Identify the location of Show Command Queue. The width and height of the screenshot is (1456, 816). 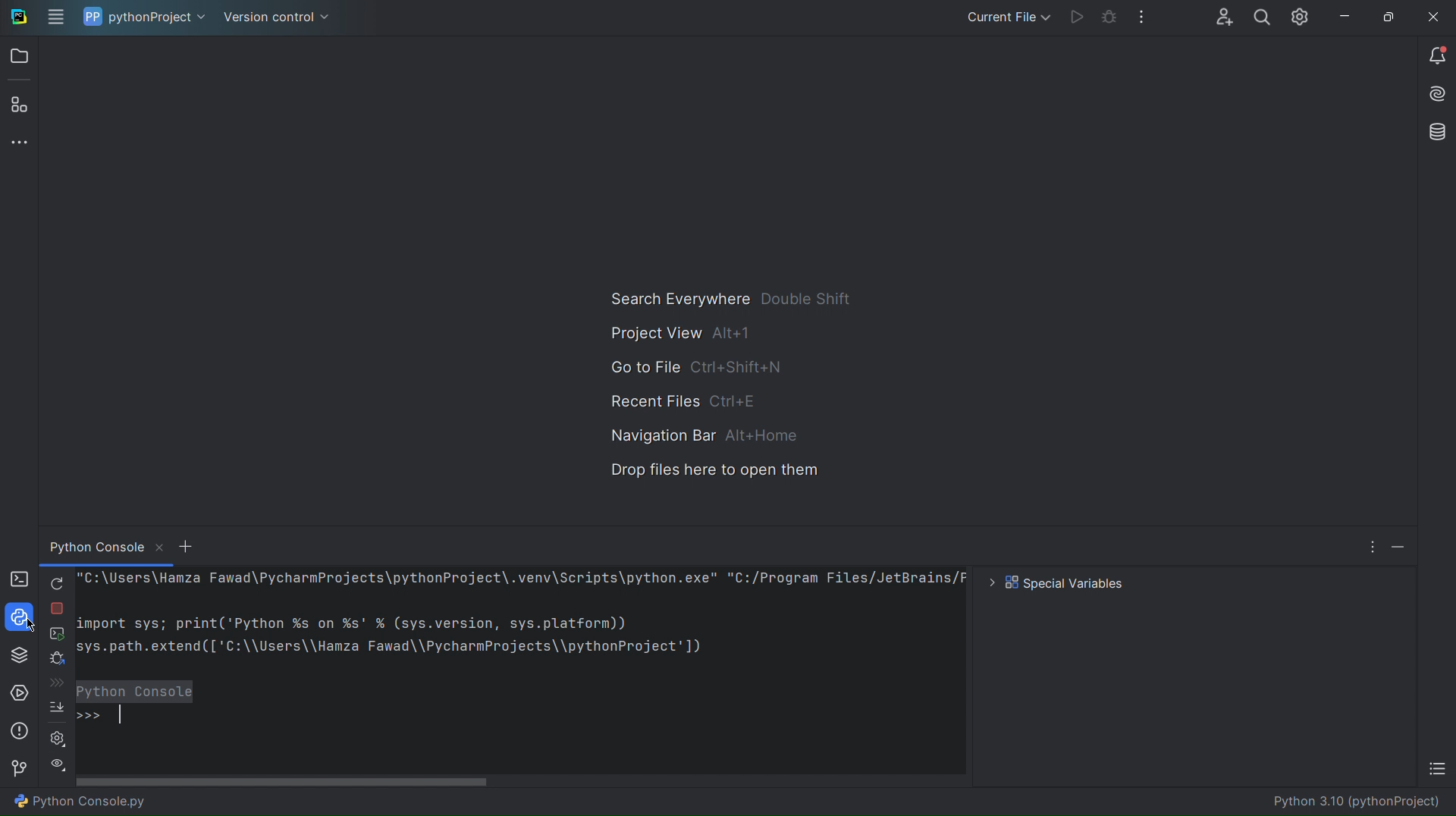
(53, 682).